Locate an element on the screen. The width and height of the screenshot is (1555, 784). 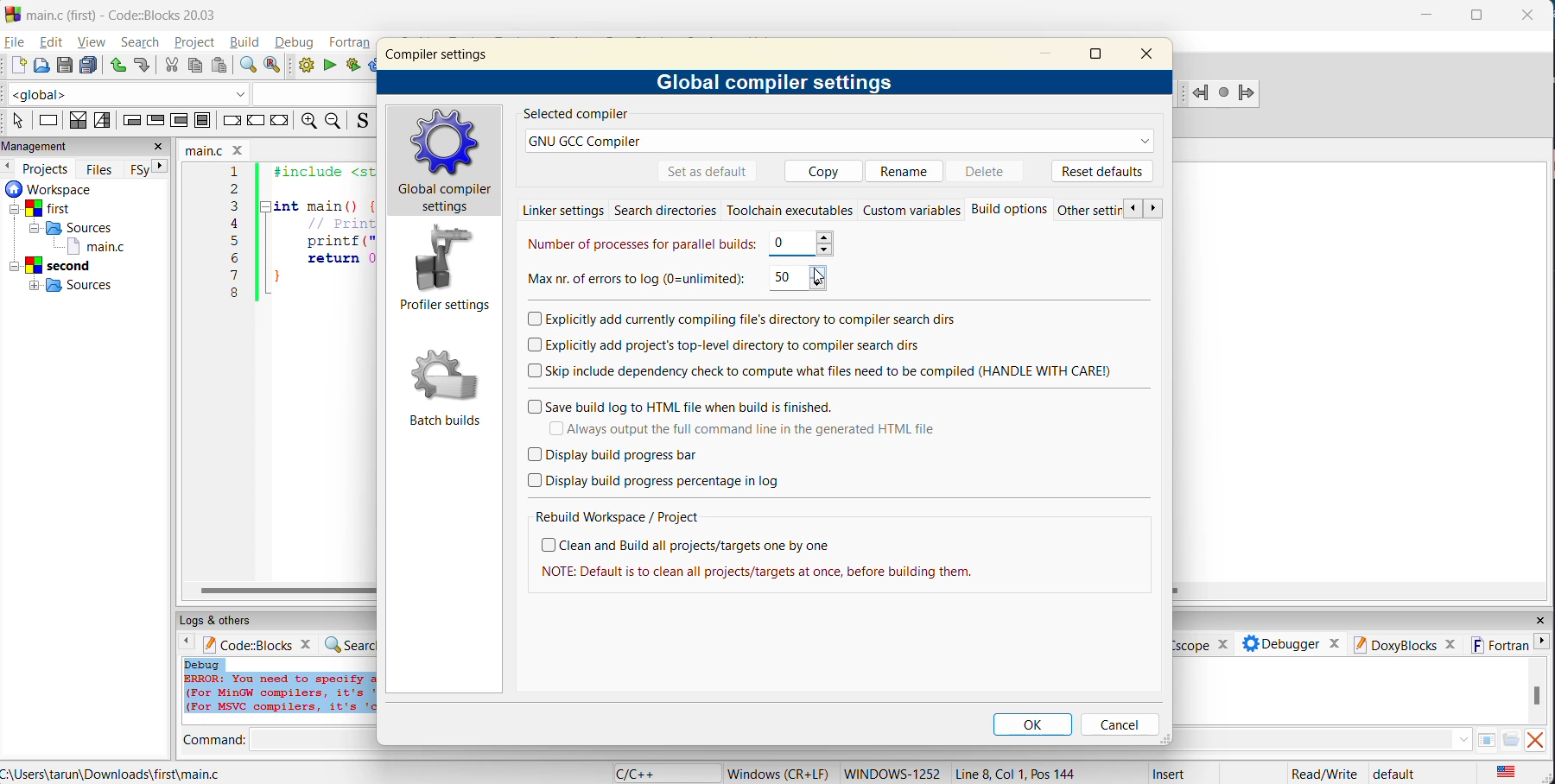
instruction is located at coordinates (49, 123).